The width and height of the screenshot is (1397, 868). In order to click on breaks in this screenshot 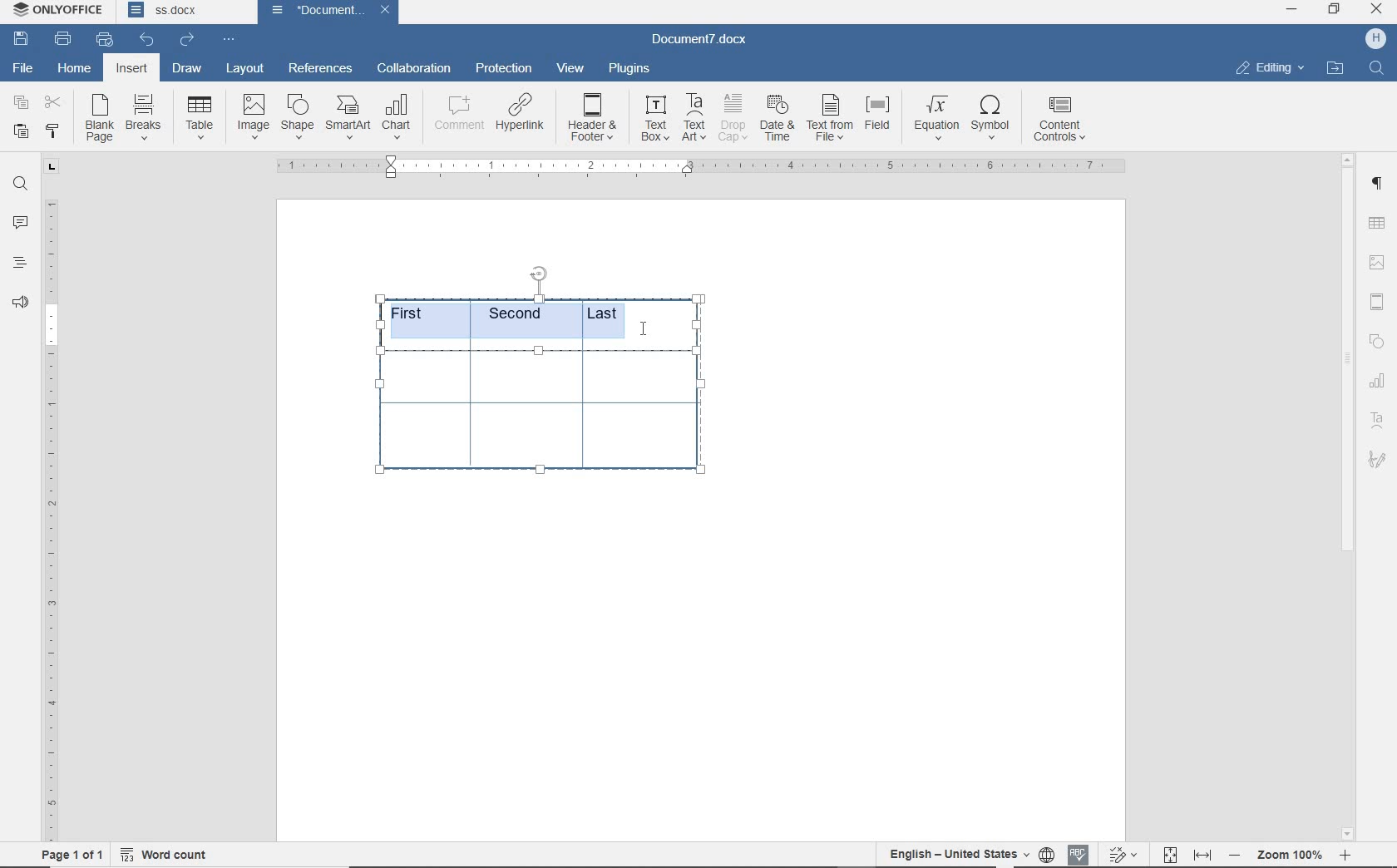, I will do `click(146, 117)`.